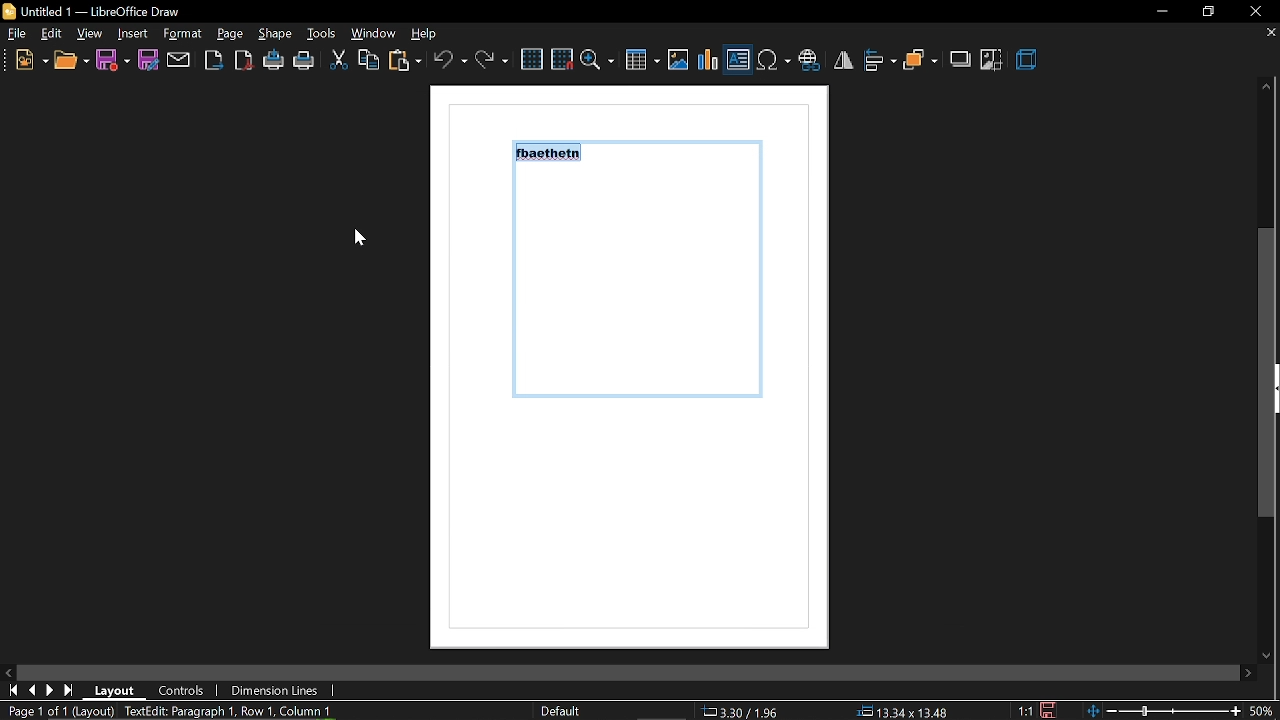 The width and height of the screenshot is (1280, 720). What do you see at coordinates (276, 33) in the screenshot?
I see `page` at bounding box center [276, 33].